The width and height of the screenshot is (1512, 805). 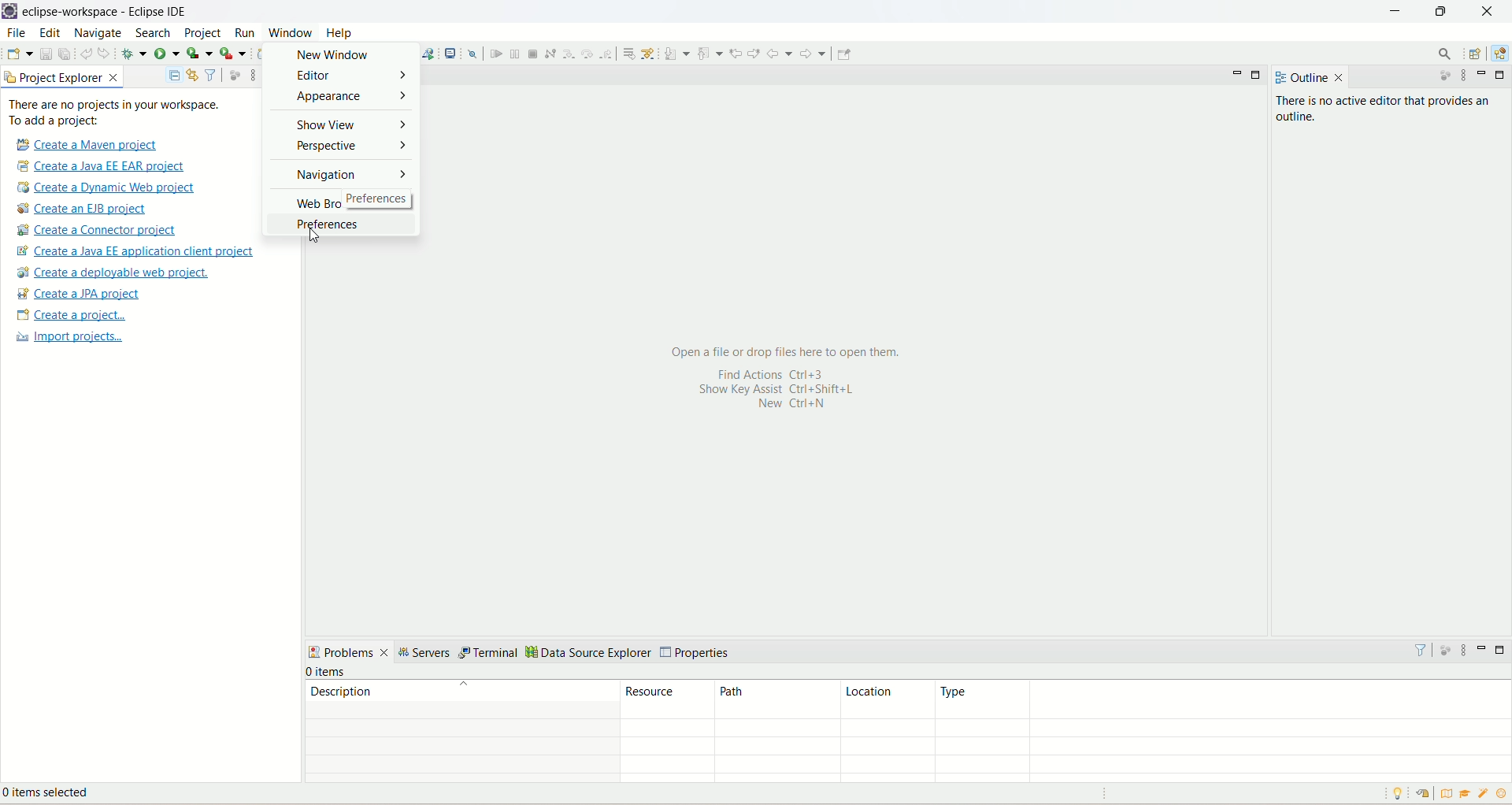 What do you see at coordinates (334, 224) in the screenshot?
I see `preferences` at bounding box center [334, 224].